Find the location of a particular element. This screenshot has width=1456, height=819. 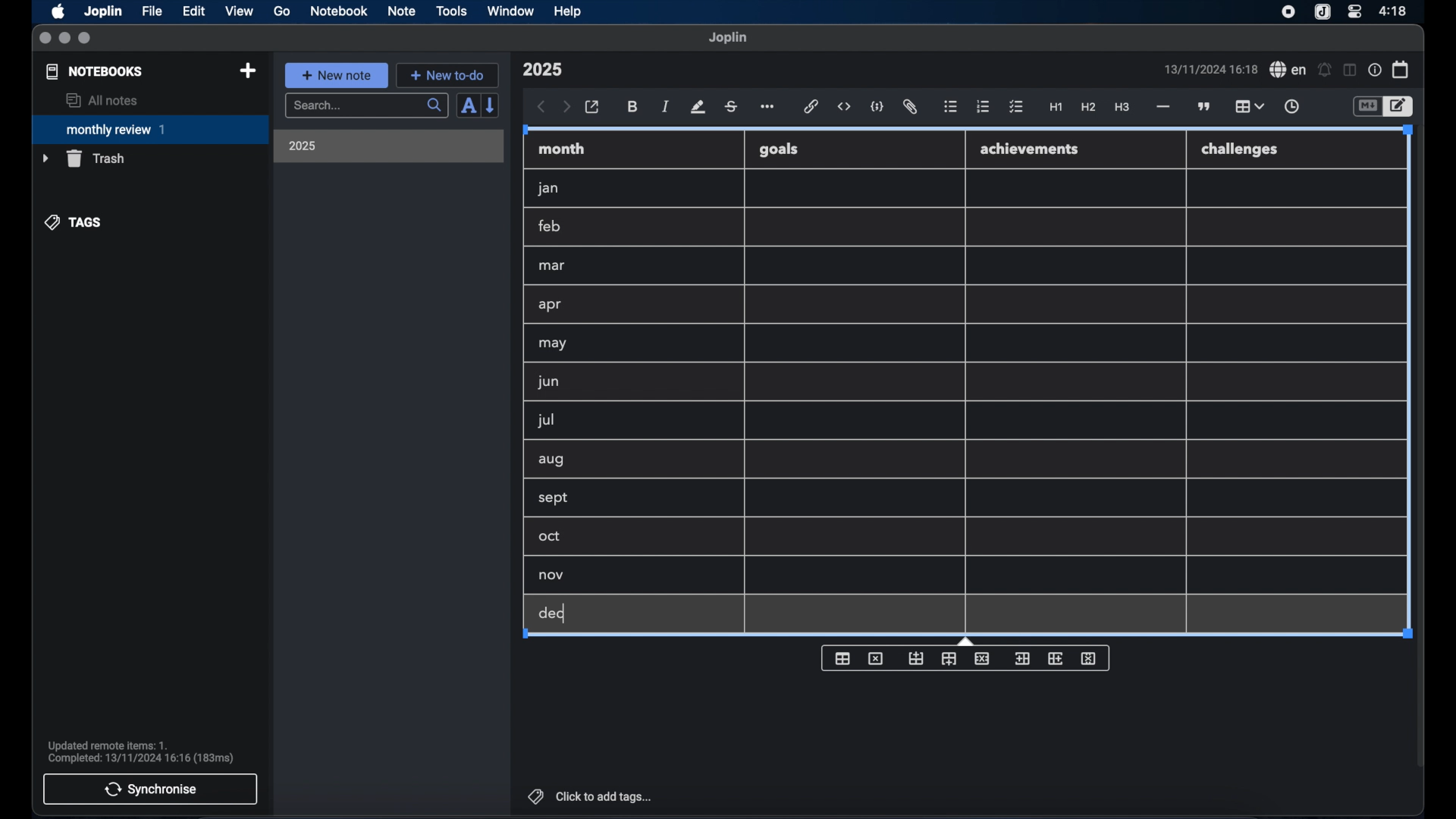

joplin is located at coordinates (728, 37).